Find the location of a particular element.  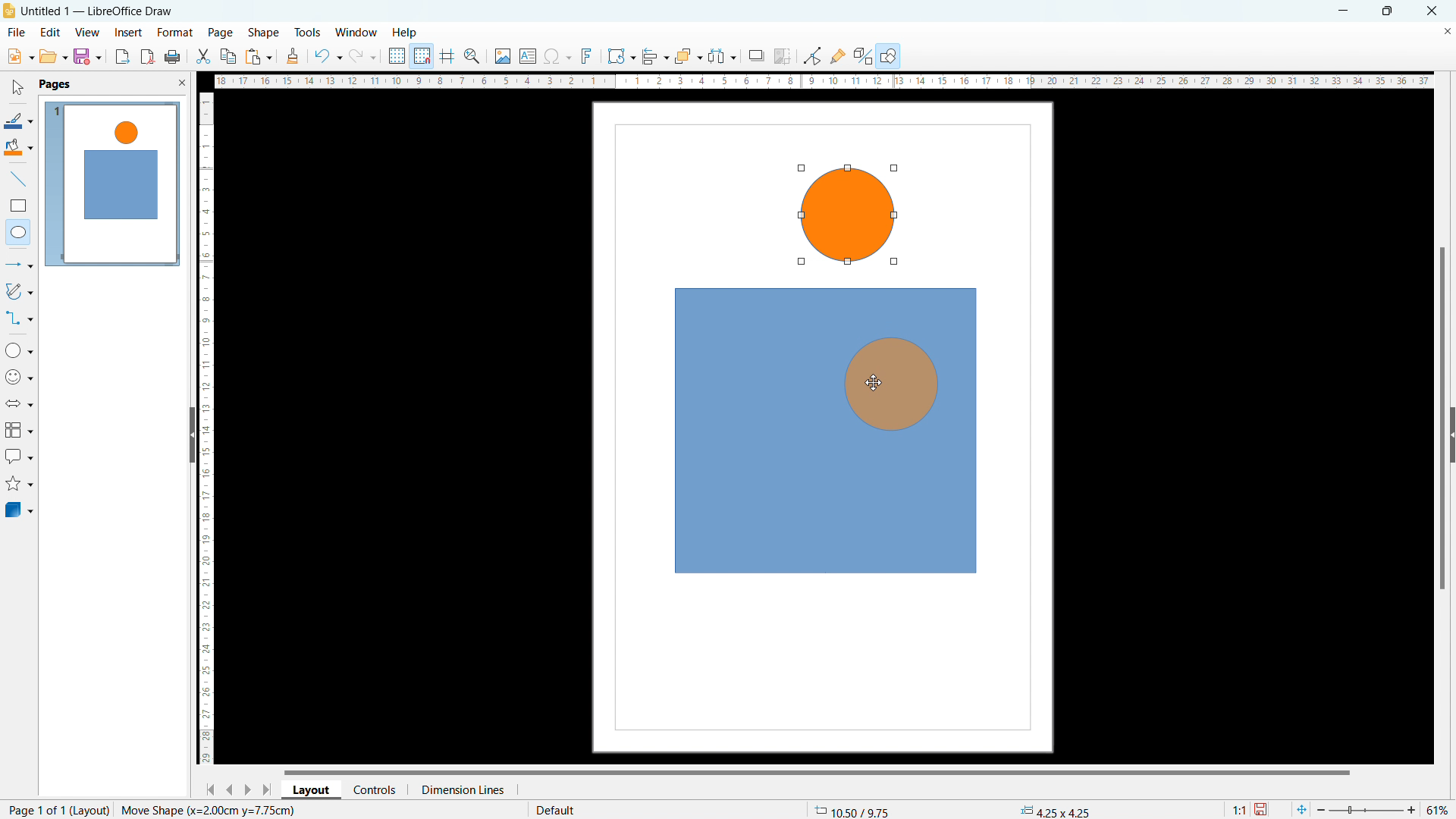

slider is located at coordinates (1365, 810).